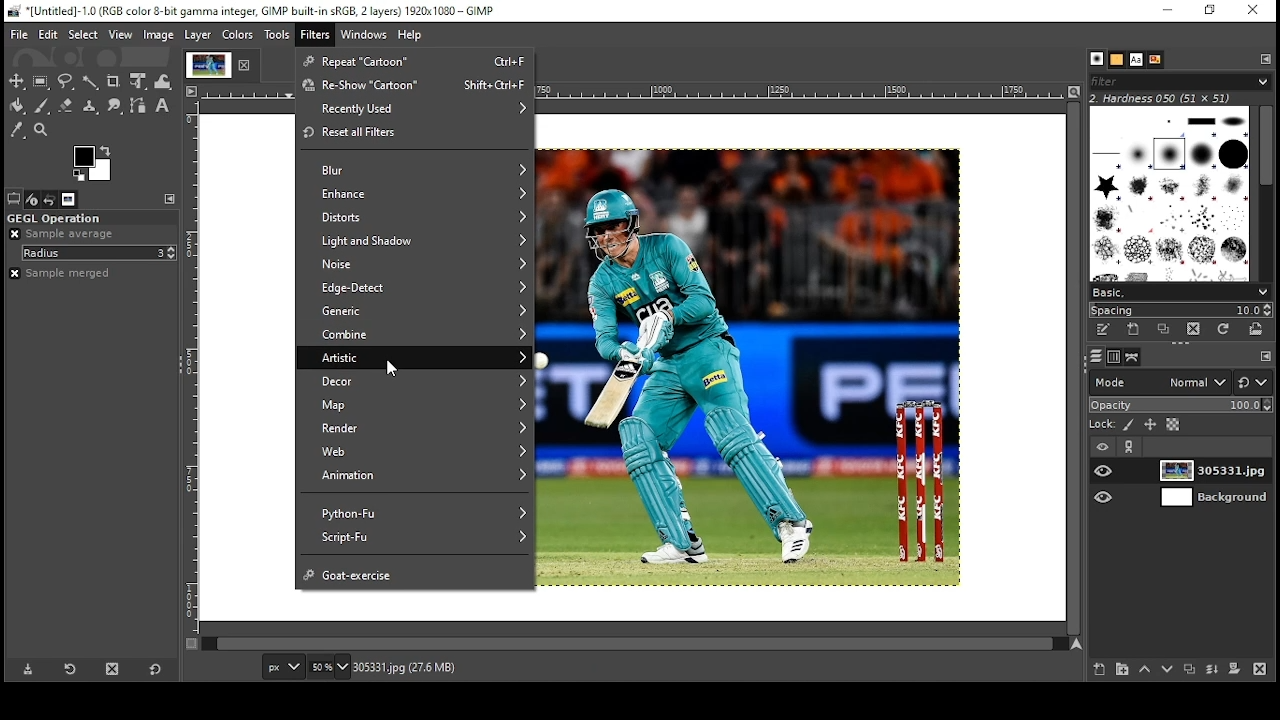 The height and width of the screenshot is (720, 1280). I want to click on generic, so click(414, 312).